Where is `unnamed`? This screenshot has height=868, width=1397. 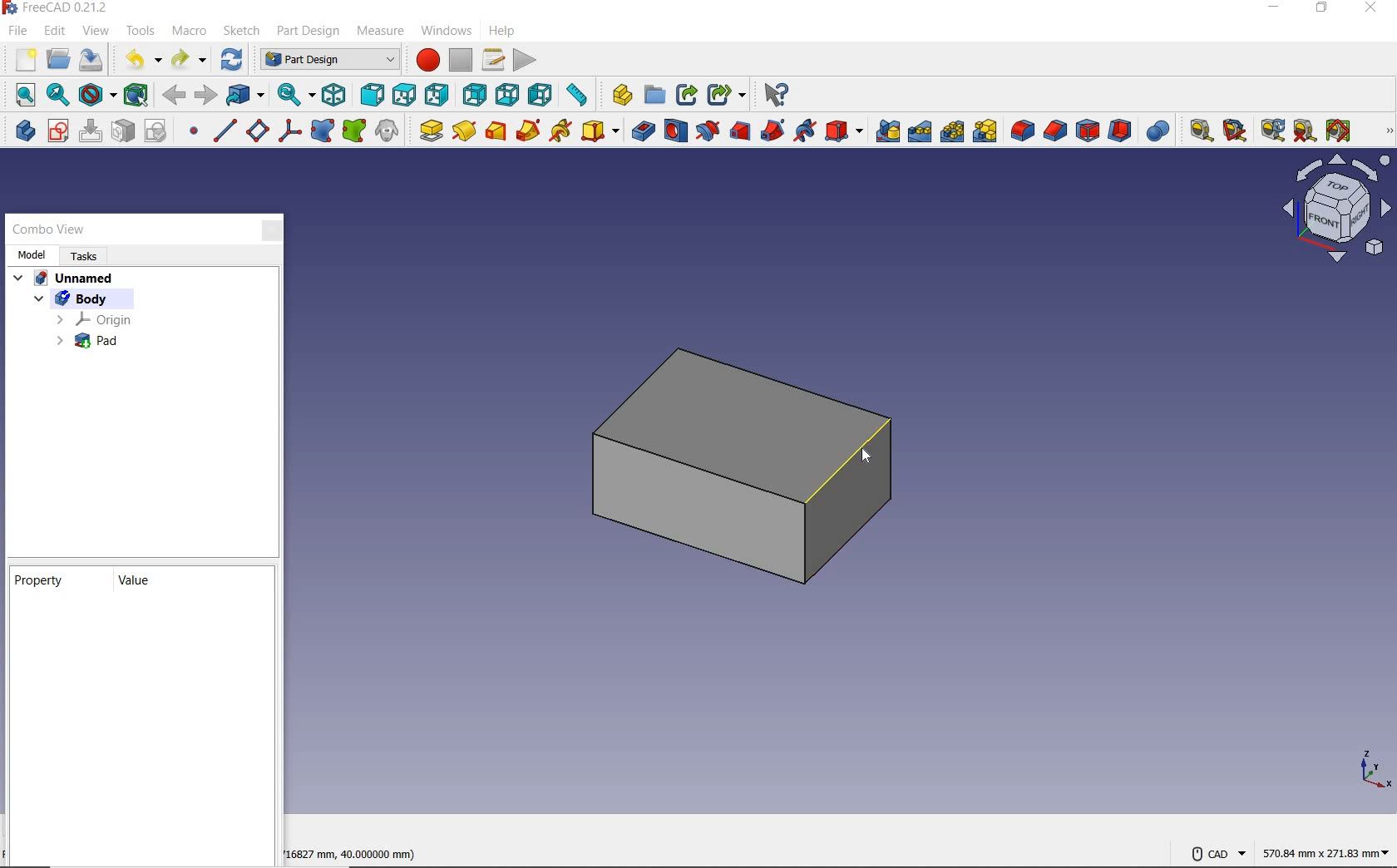
unnamed is located at coordinates (64, 280).